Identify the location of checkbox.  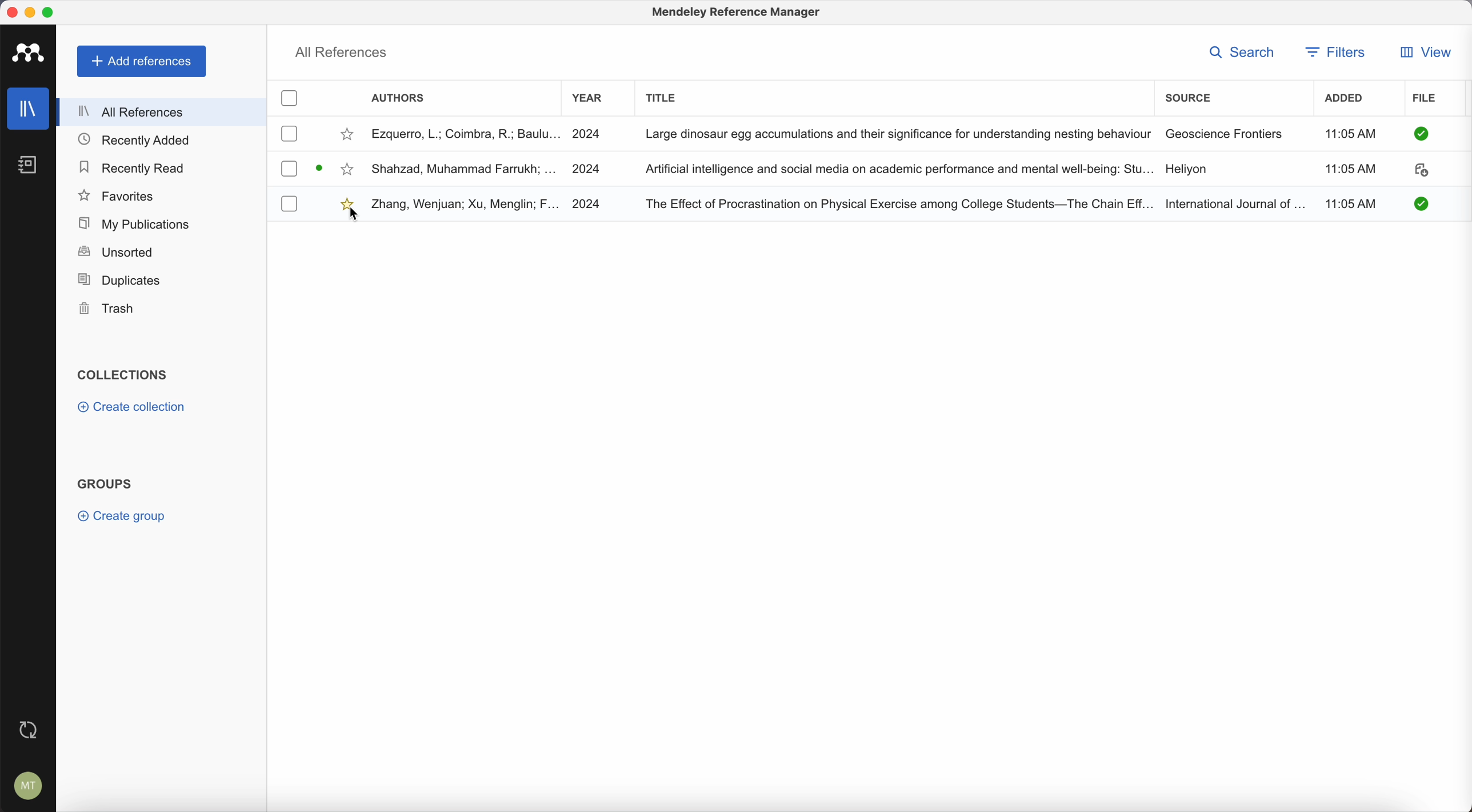
(291, 203).